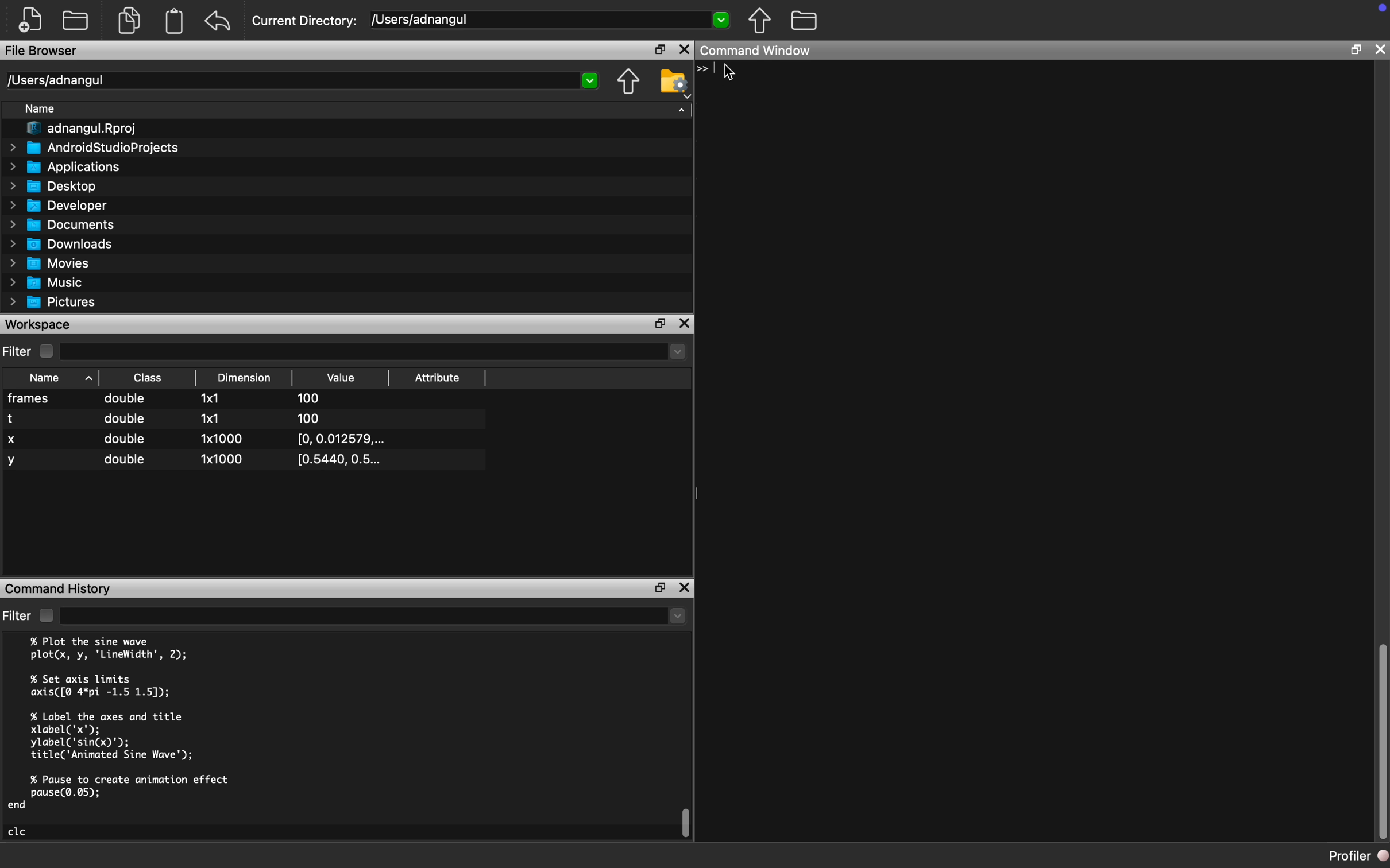  I want to click on Close, so click(686, 588).